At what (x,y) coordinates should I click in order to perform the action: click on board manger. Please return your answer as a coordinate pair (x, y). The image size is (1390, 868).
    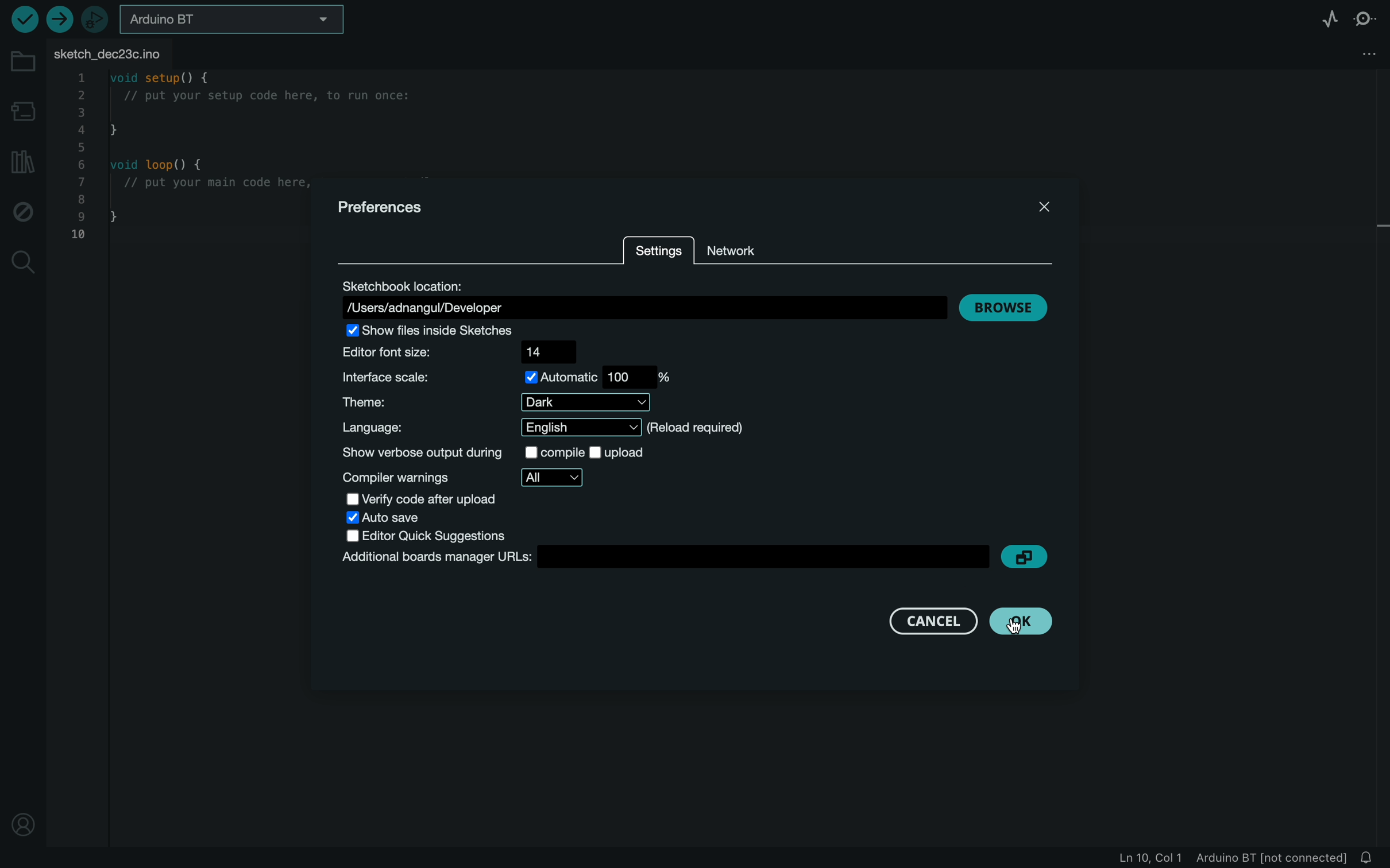
    Looking at the image, I should click on (661, 558).